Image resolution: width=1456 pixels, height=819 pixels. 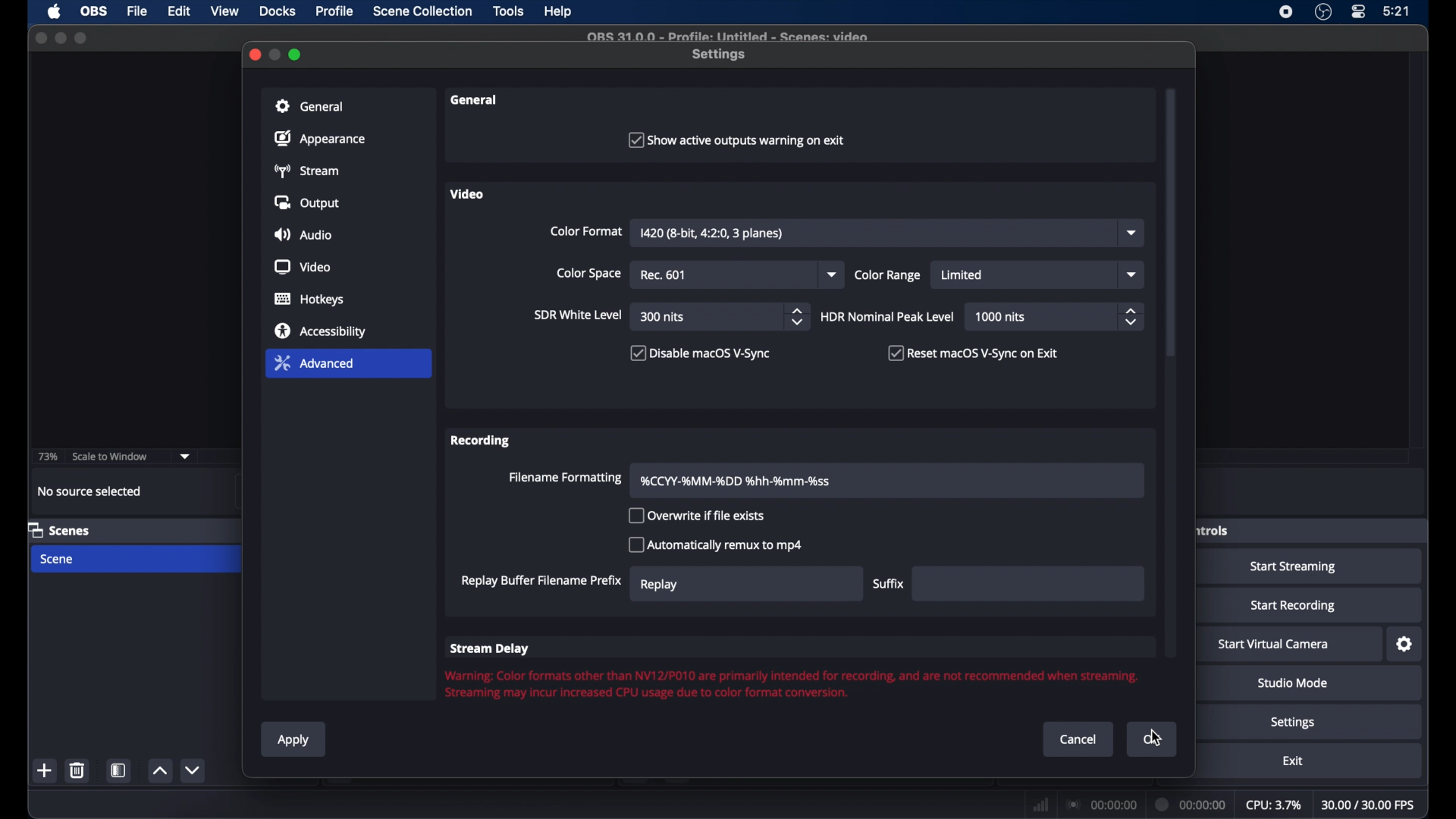 I want to click on time, so click(x=1398, y=11).